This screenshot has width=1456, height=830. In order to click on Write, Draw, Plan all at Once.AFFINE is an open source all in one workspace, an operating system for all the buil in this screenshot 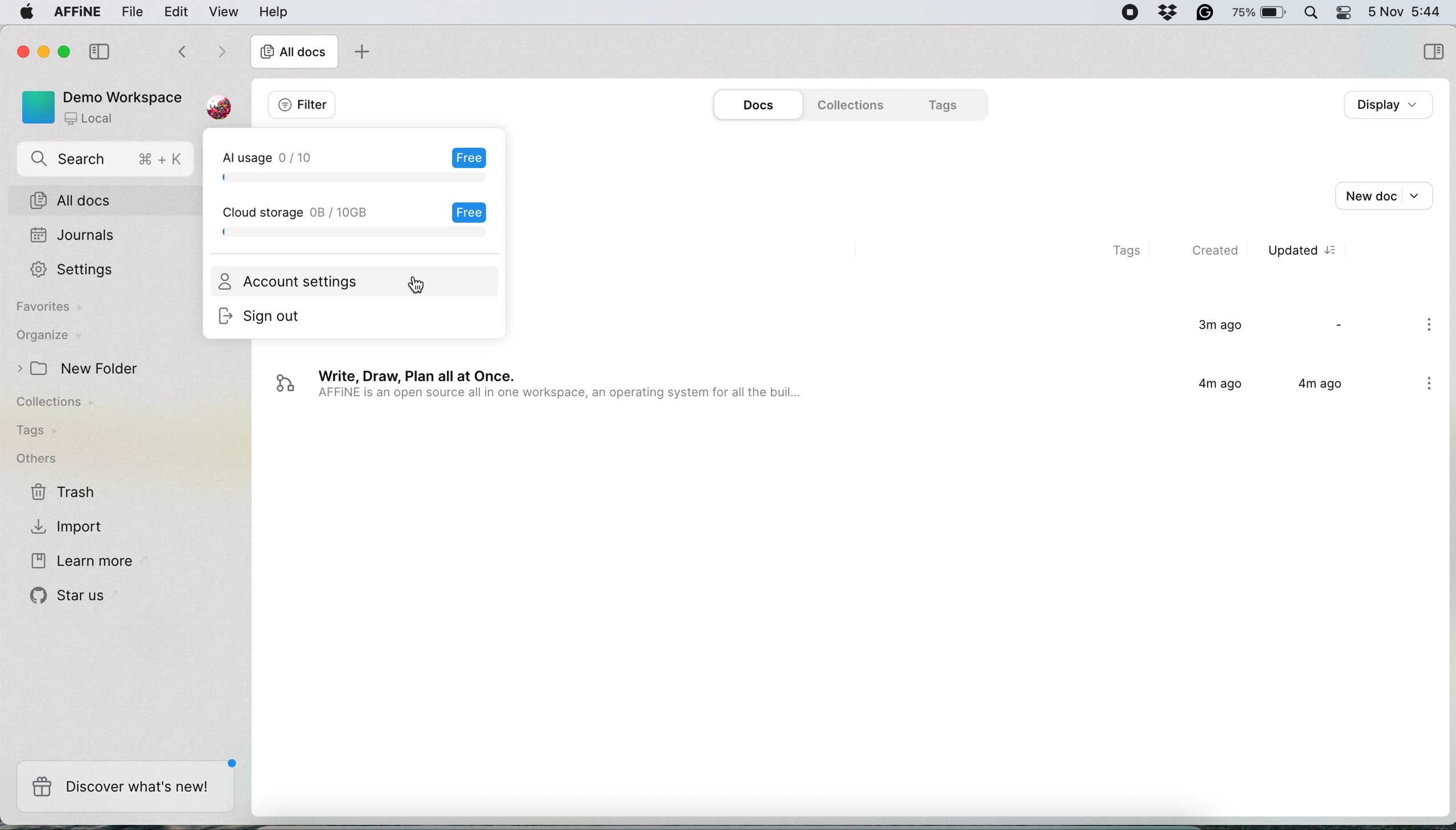, I will do `click(544, 389)`.